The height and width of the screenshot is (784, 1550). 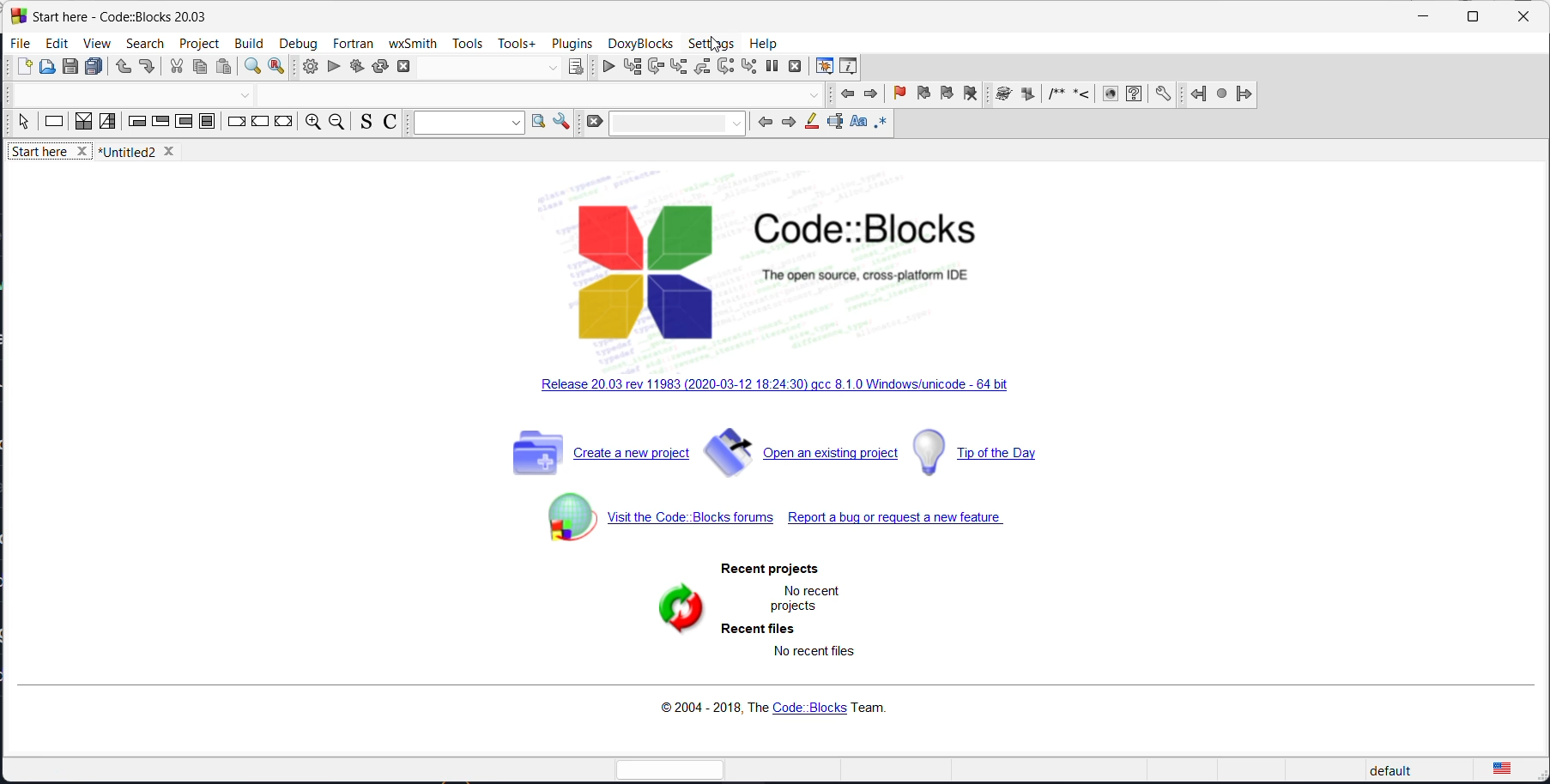 What do you see at coordinates (756, 630) in the screenshot?
I see `recent files` at bounding box center [756, 630].